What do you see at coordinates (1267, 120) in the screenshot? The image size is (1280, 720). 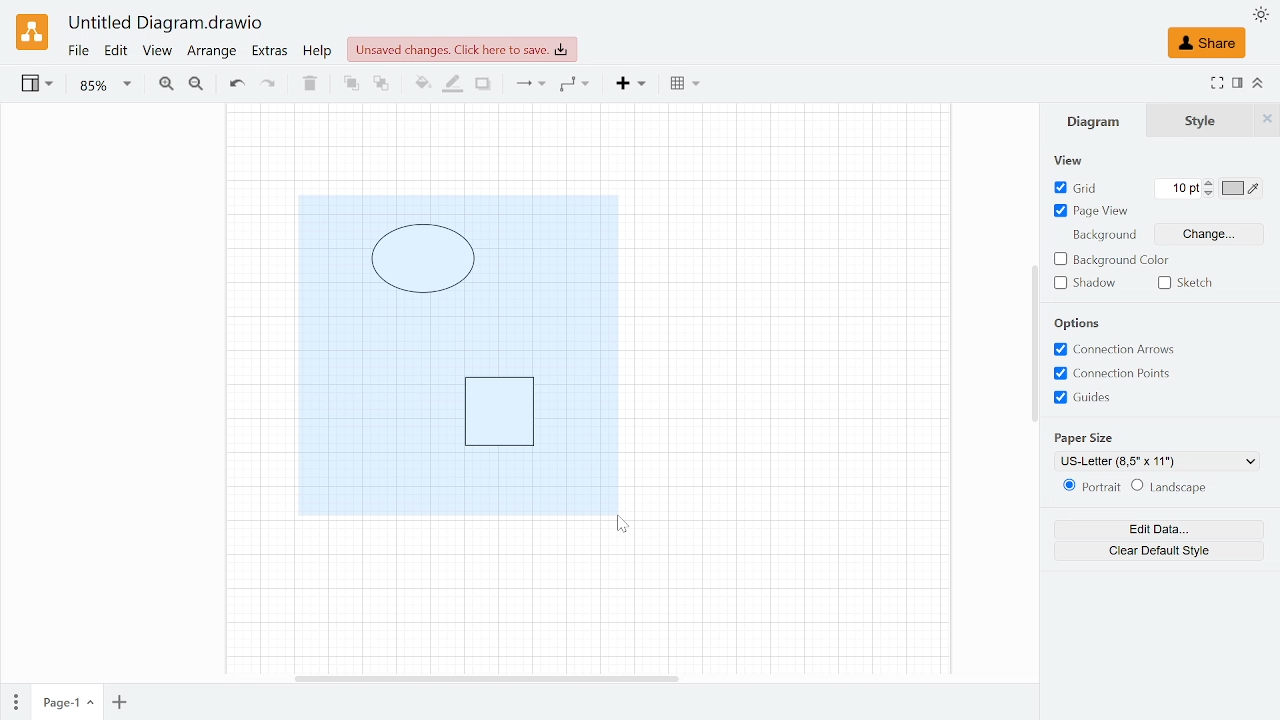 I see `Style` at bounding box center [1267, 120].